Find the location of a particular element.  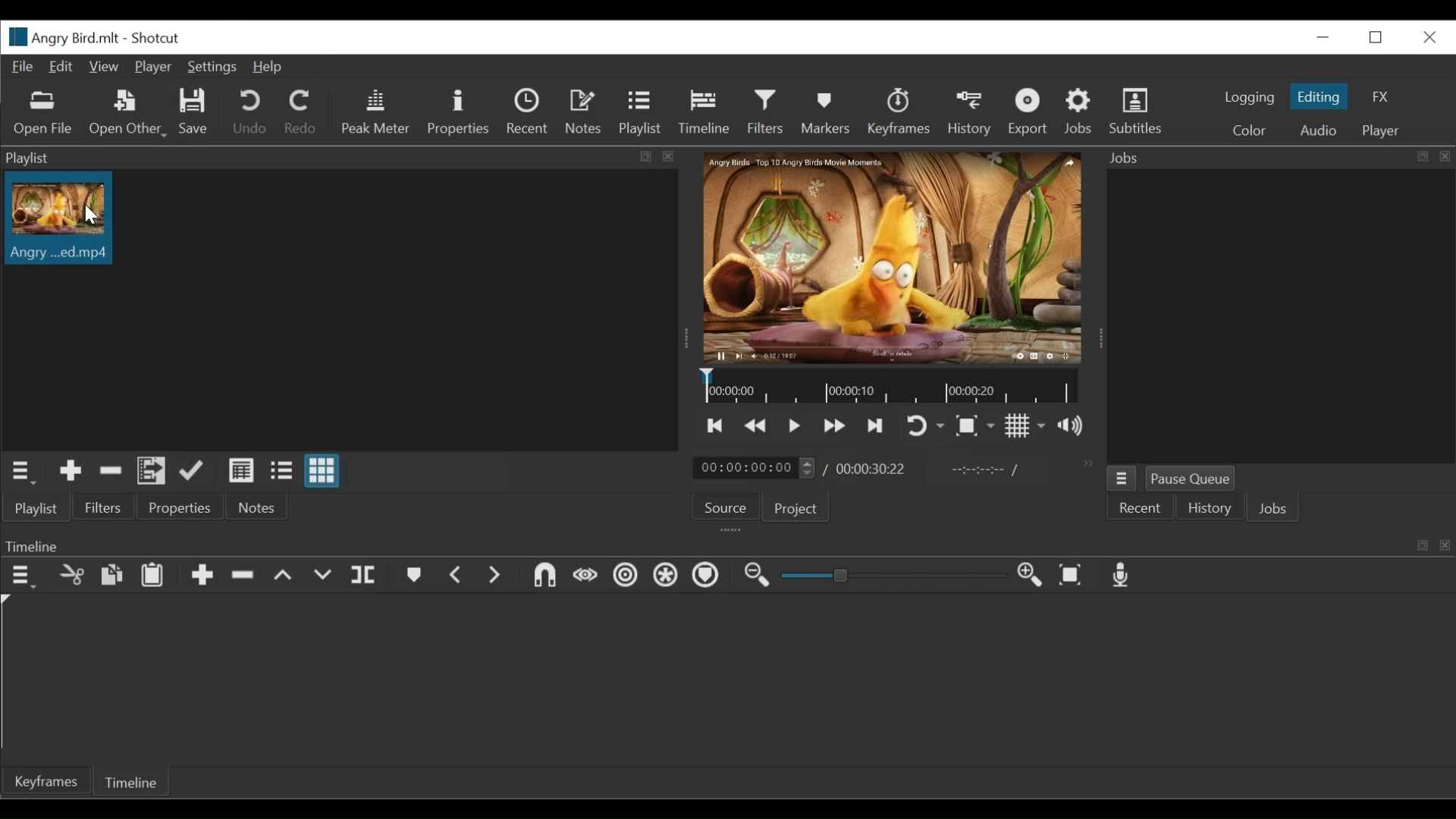

minimize is located at coordinates (1323, 39).